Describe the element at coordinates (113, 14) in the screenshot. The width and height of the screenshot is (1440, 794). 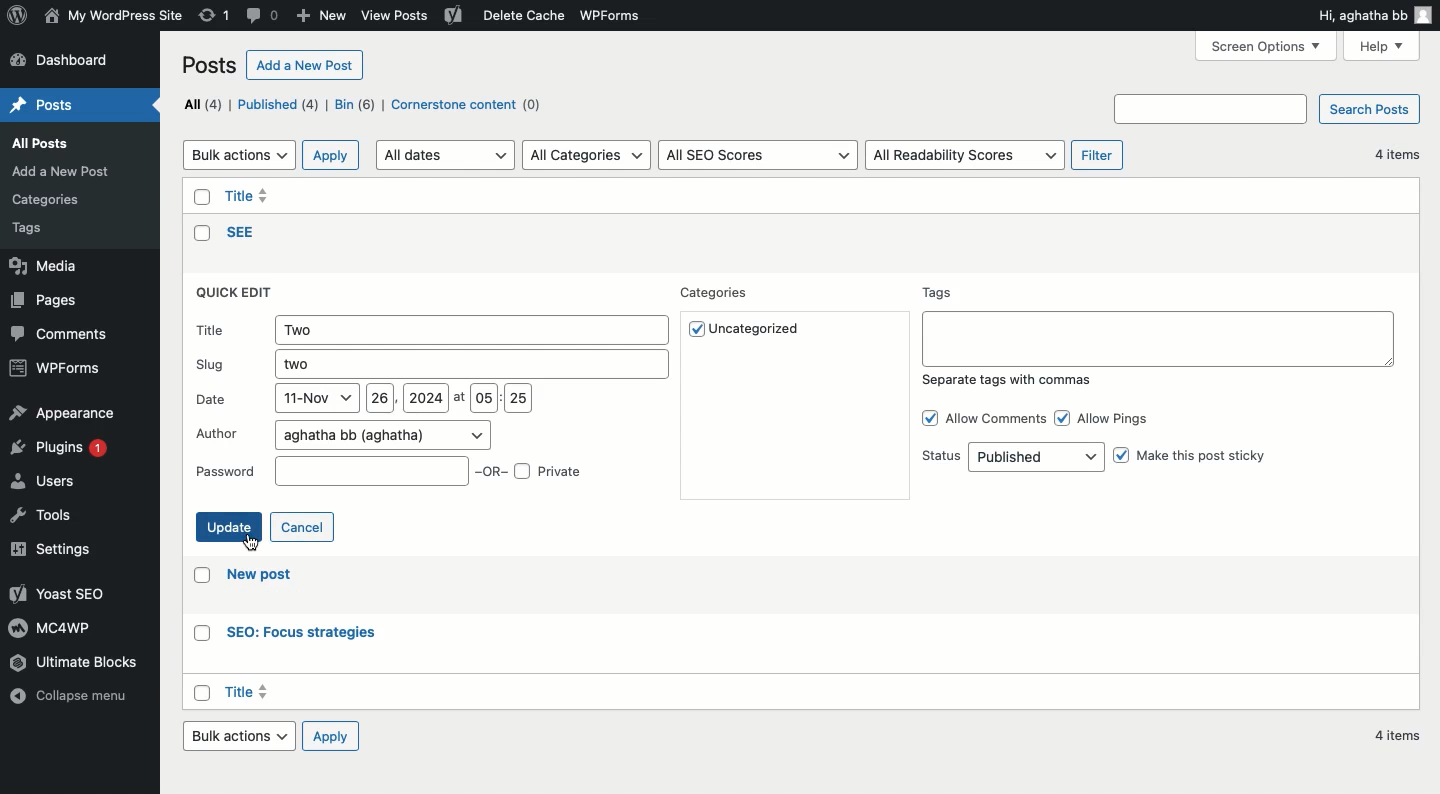
I see `Name` at that location.